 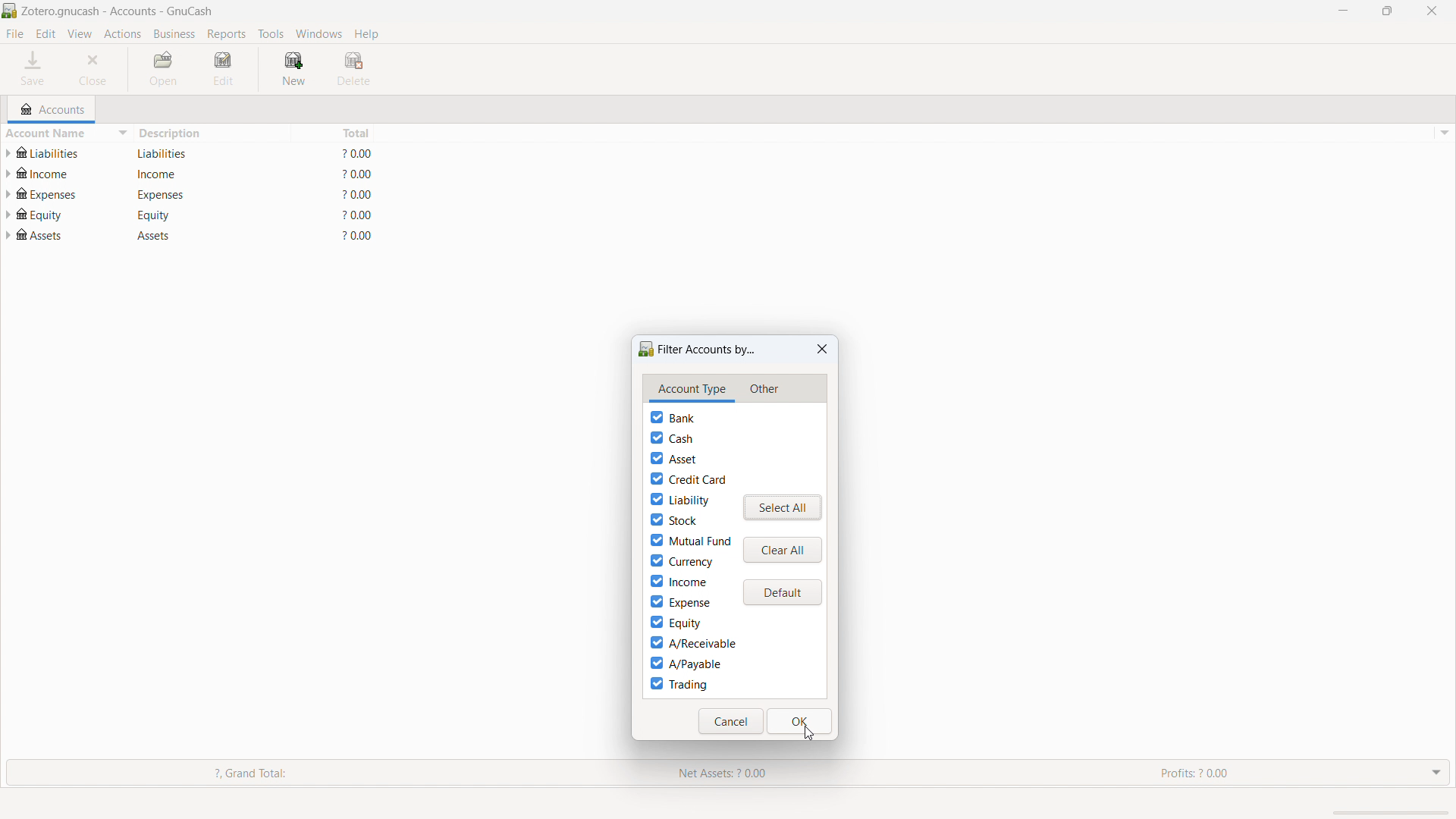 What do you see at coordinates (730, 721) in the screenshot?
I see `cancel` at bounding box center [730, 721].